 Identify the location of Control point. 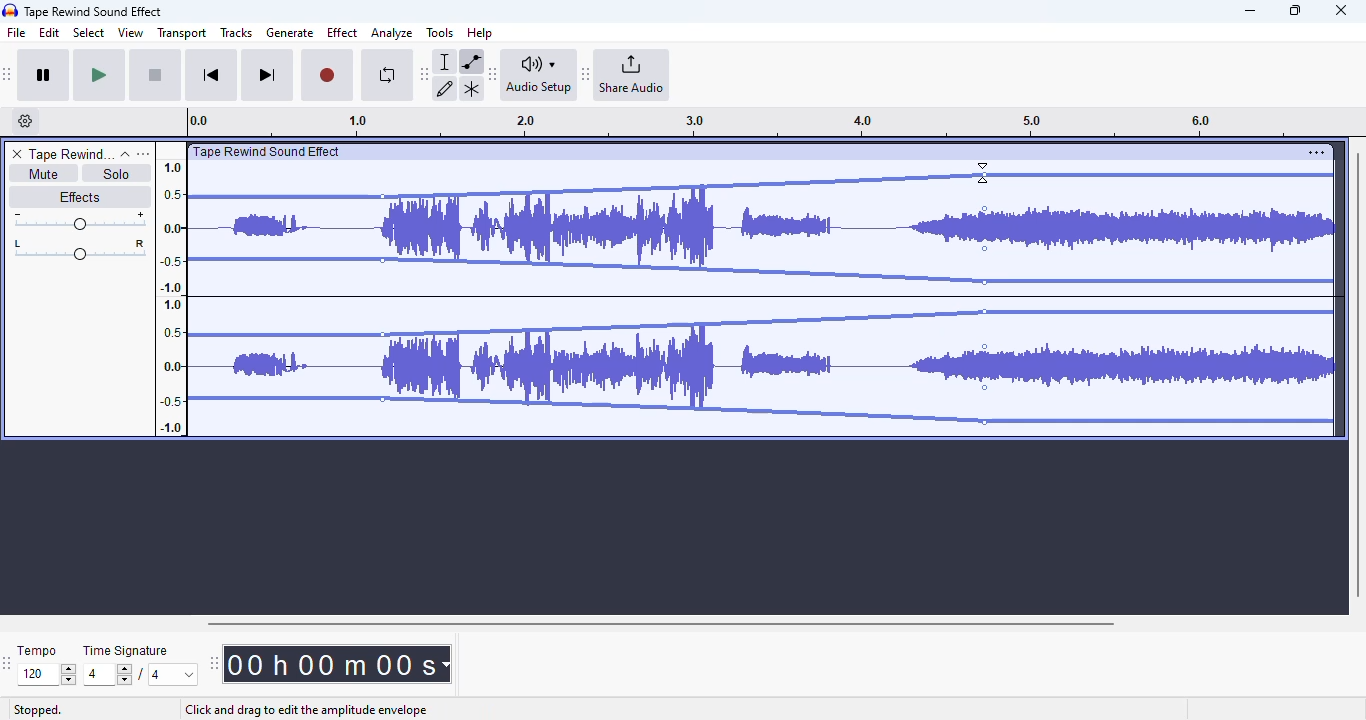
(985, 248).